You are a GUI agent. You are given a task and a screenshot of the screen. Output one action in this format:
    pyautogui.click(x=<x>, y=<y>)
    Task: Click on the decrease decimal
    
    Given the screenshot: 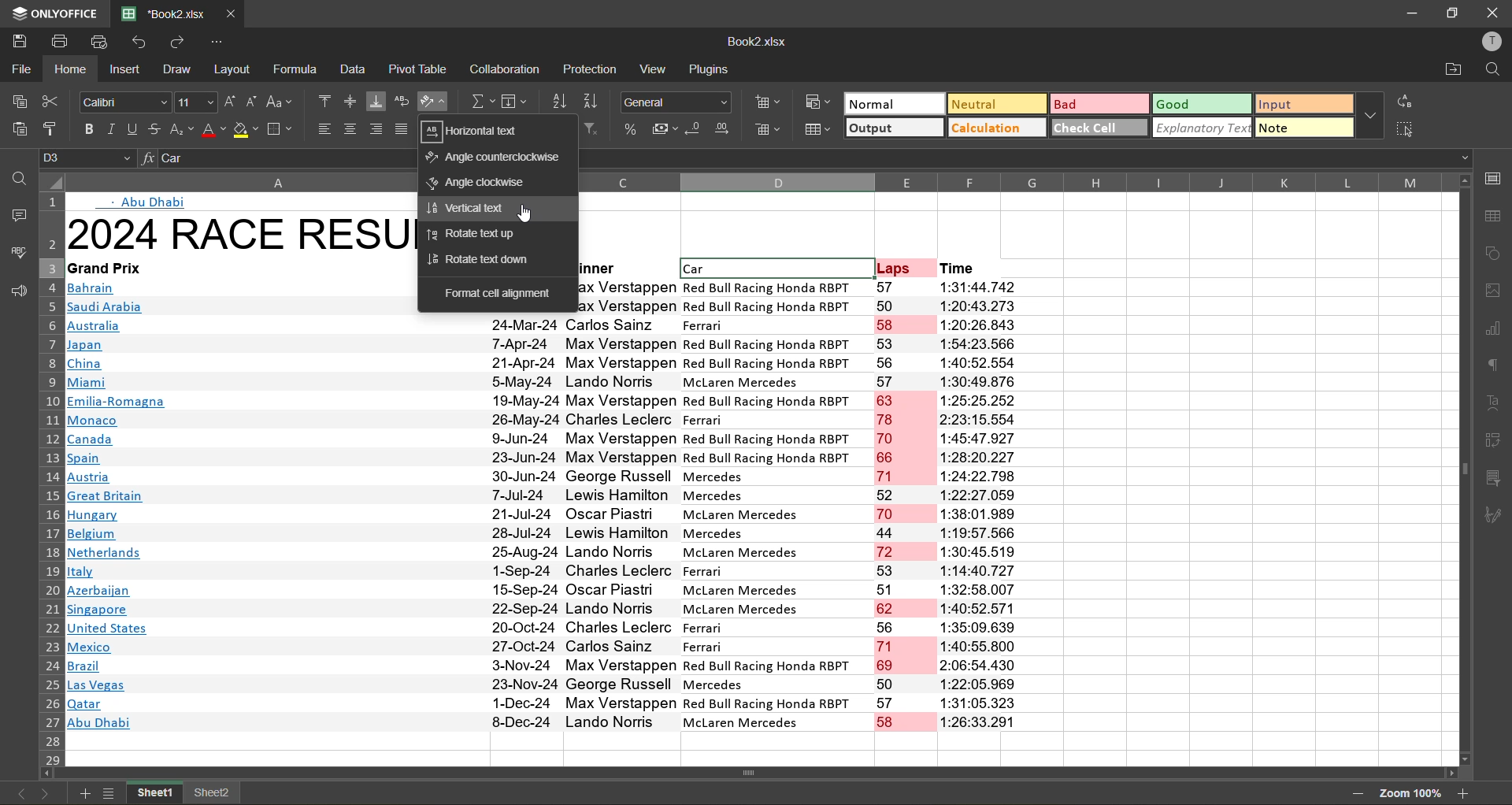 What is the action you would take?
    pyautogui.click(x=695, y=130)
    